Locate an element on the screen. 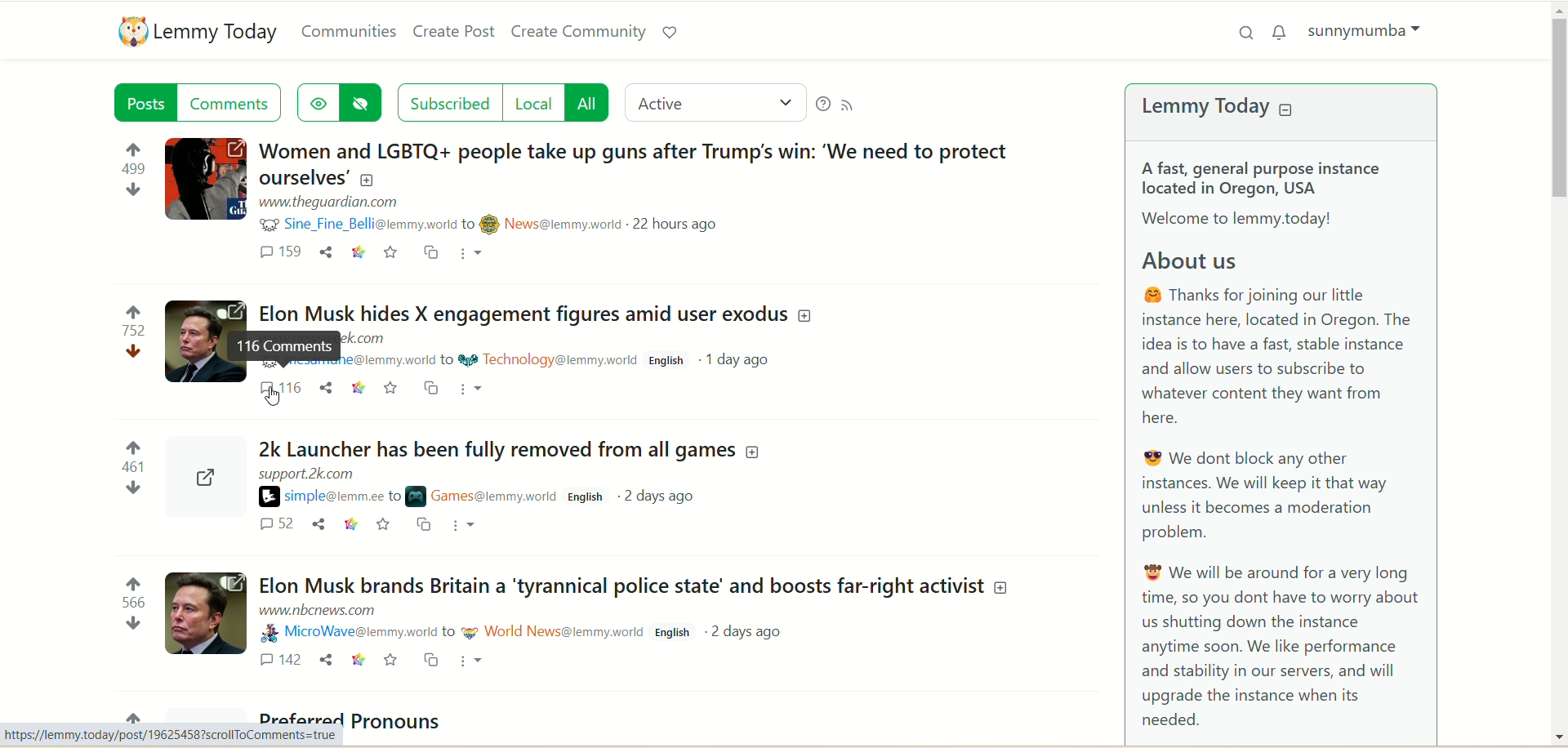 Image resolution: width=1568 pixels, height=748 pixels. Add  is located at coordinates (804, 317).